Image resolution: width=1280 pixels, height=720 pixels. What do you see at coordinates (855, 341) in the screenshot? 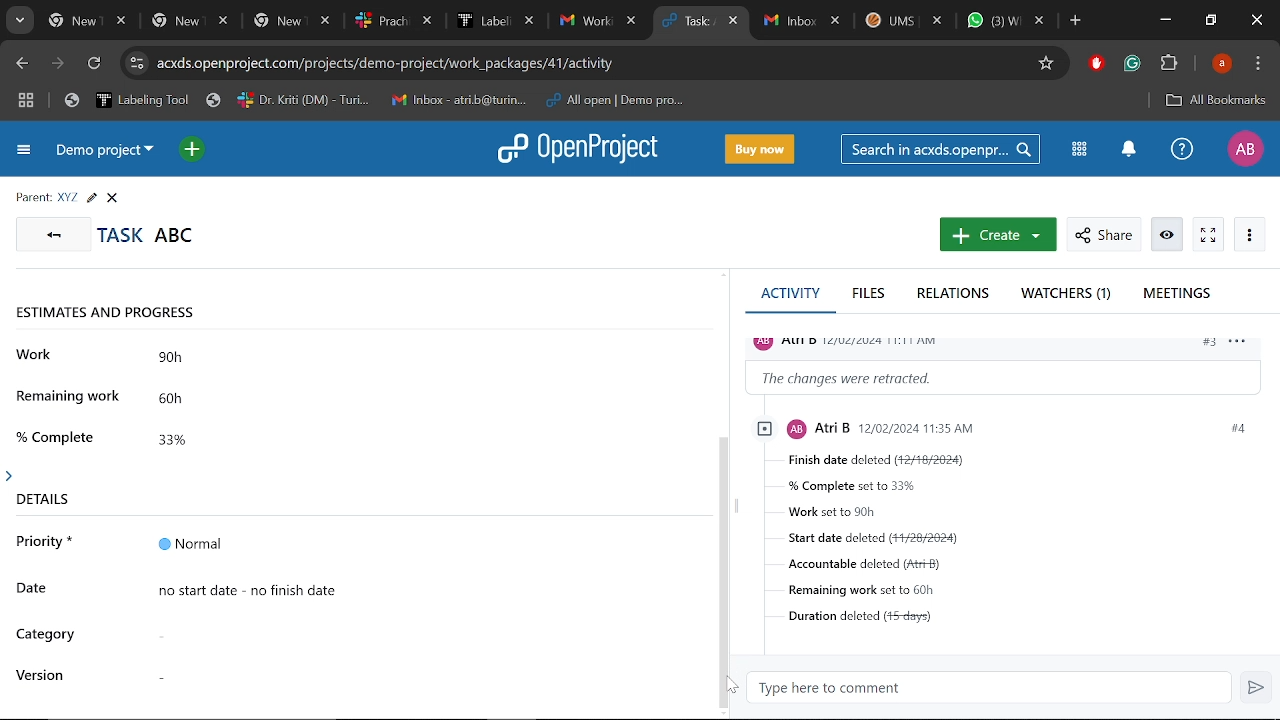
I see `profile` at bounding box center [855, 341].